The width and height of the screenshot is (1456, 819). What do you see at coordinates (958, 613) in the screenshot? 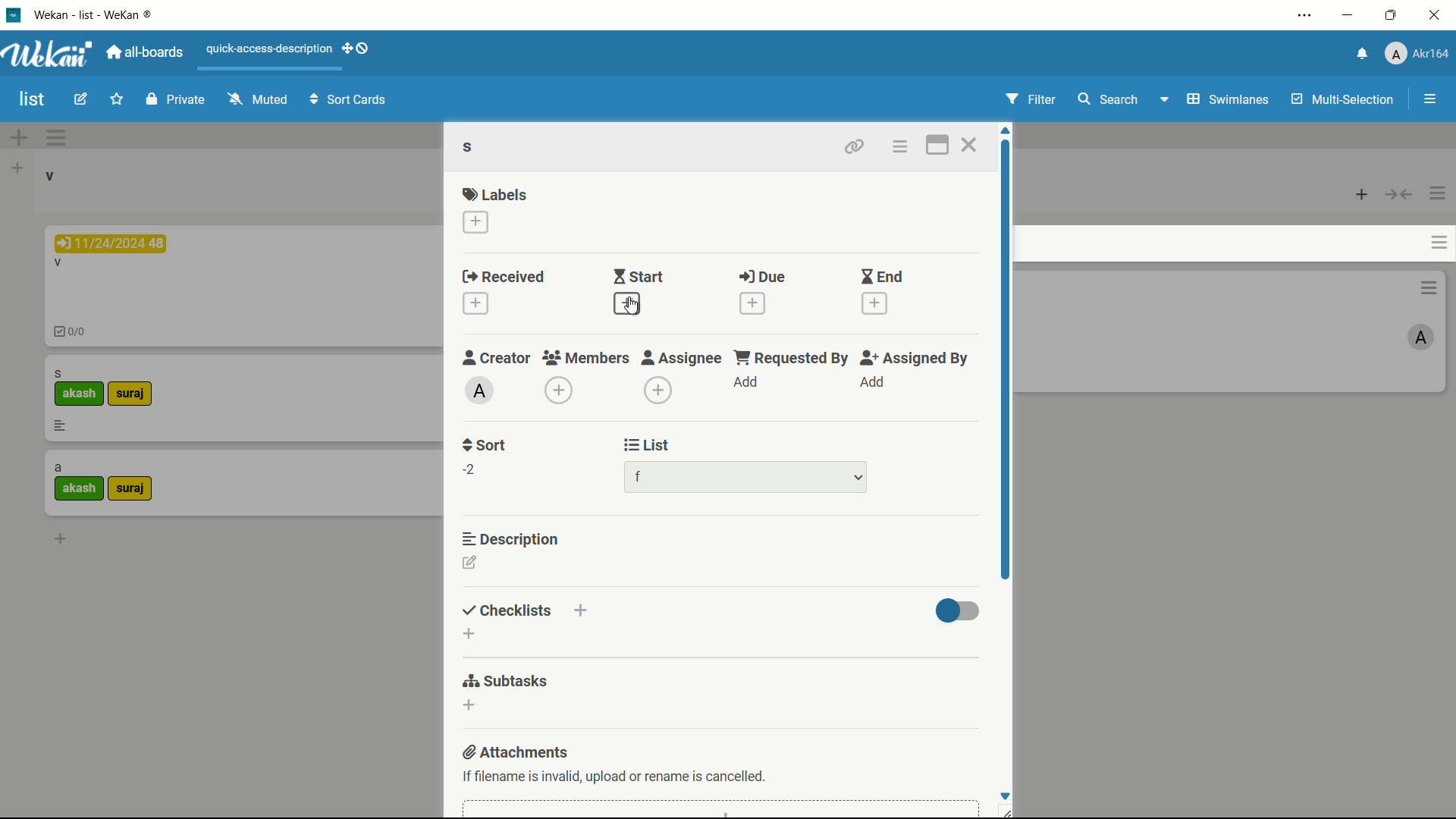
I see `toggle button` at bounding box center [958, 613].